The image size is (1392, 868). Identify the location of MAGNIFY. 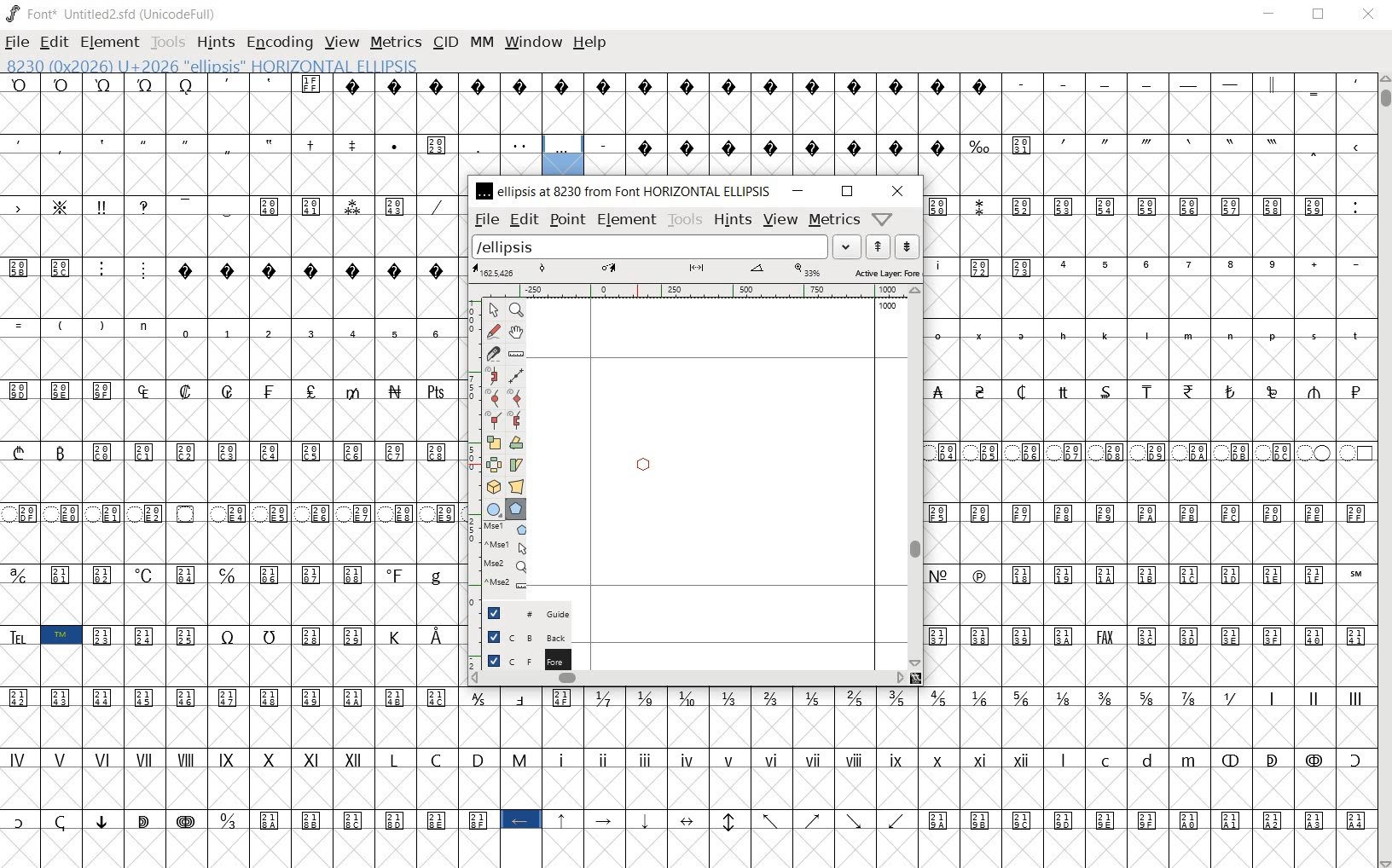
(516, 310).